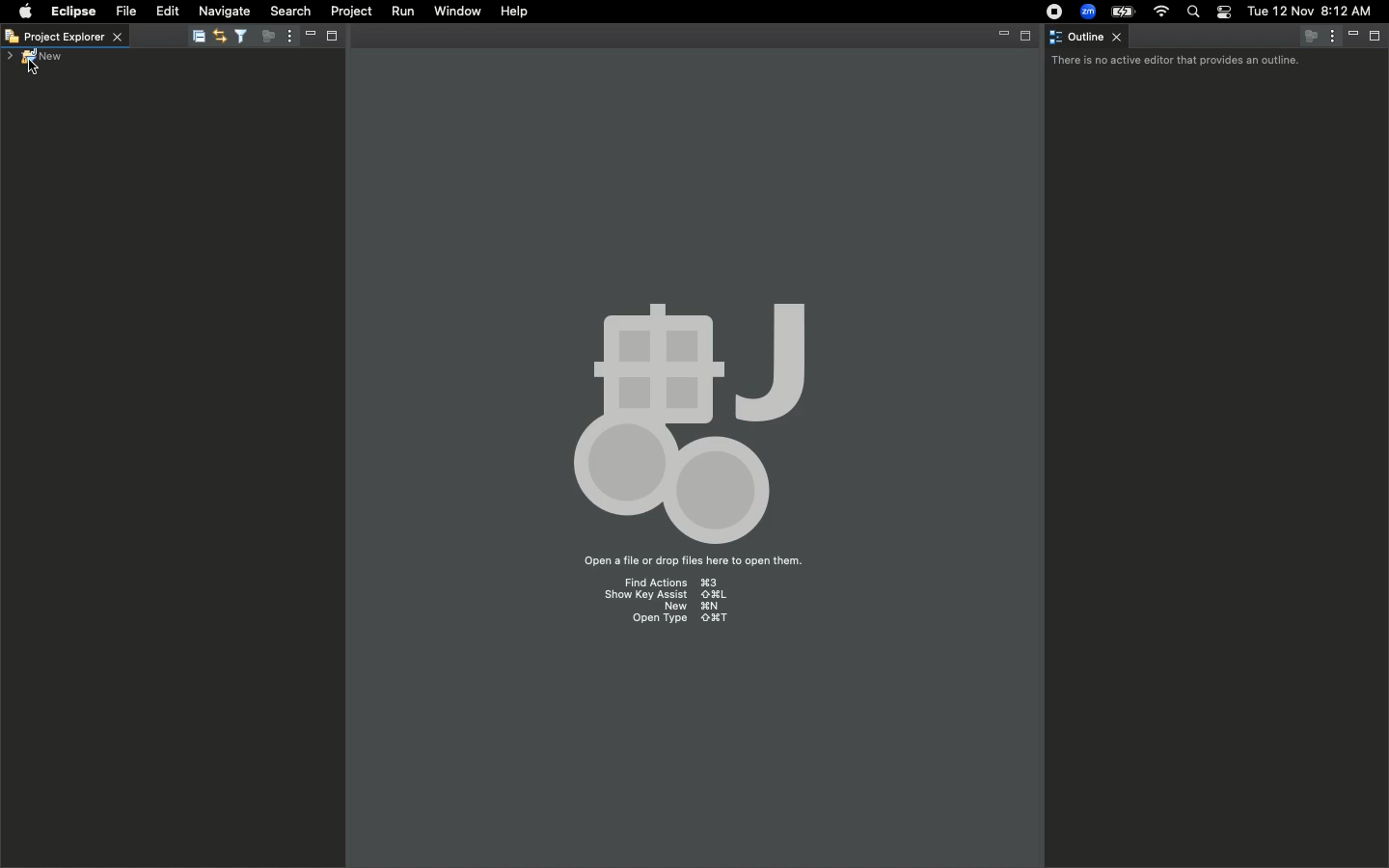  Describe the element at coordinates (24, 13) in the screenshot. I see `Apple logo` at that location.